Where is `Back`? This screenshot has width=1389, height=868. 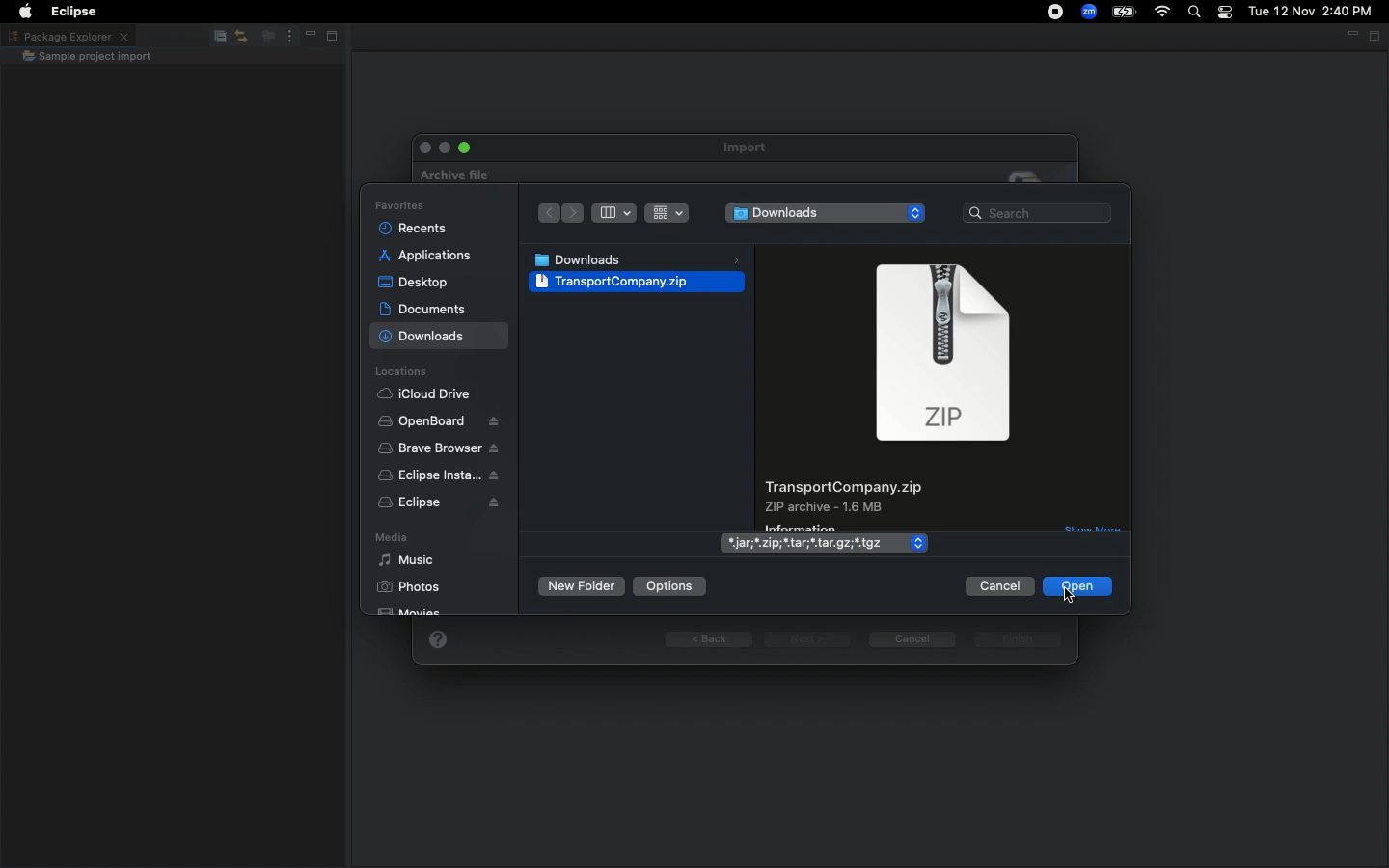 Back is located at coordinates (710, 639).